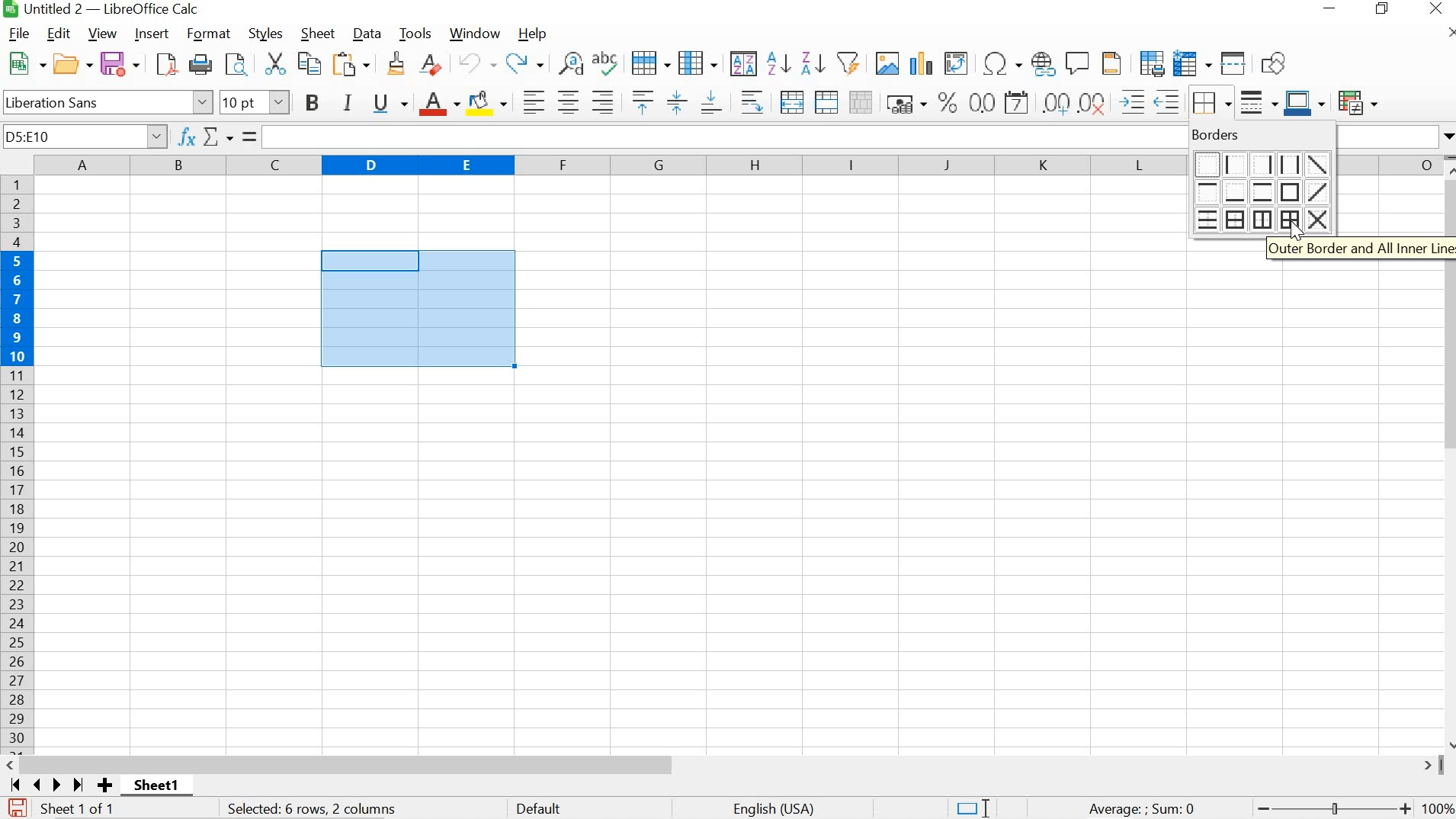  What do you see at coordinates (710, 104) in the screenshot?
I see `ALIGN BOTTOM` at bounding box center [710, 104].